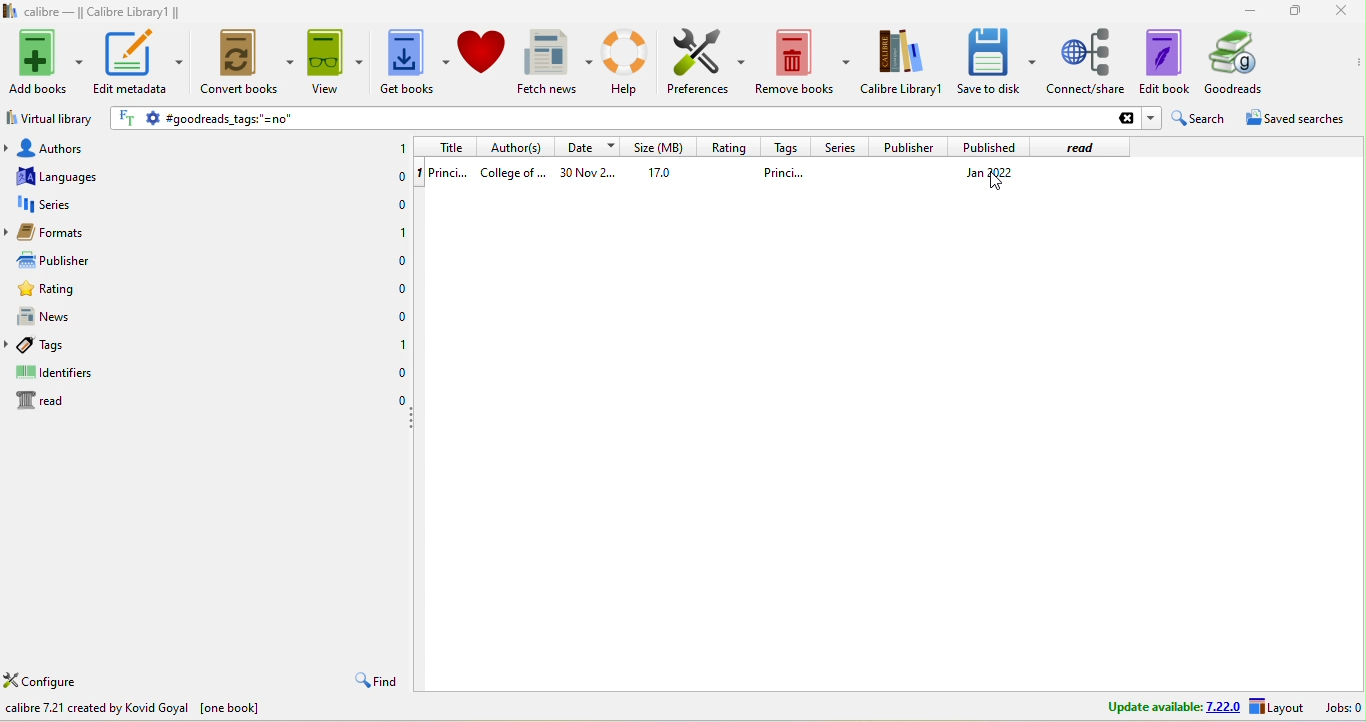  What do you see at coordinates (400, 289) in the screenshot?
I see `0` at bounding box center [400, 289].